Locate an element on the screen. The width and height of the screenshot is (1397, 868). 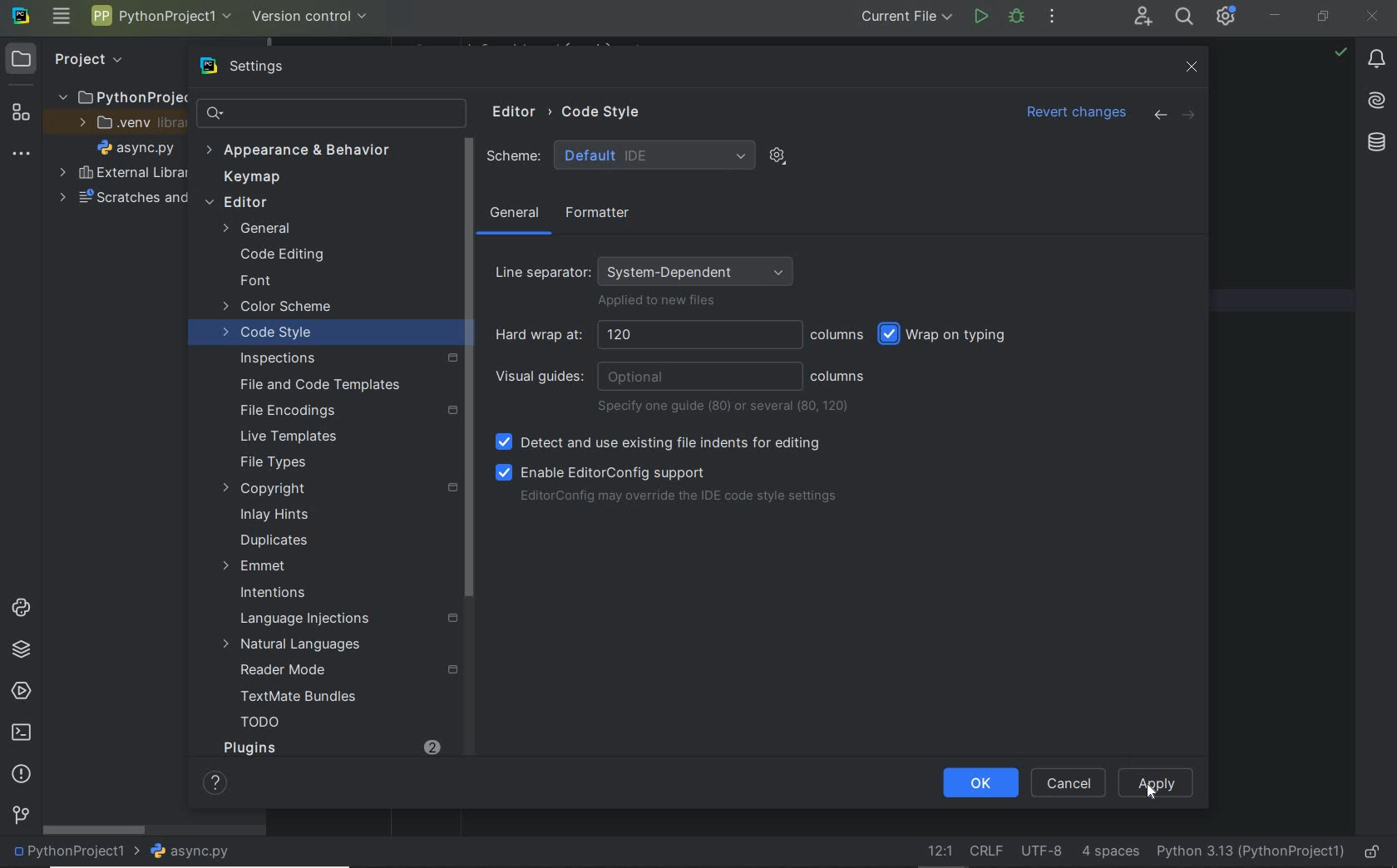
Code Editing is located at coordinates (284, 254).